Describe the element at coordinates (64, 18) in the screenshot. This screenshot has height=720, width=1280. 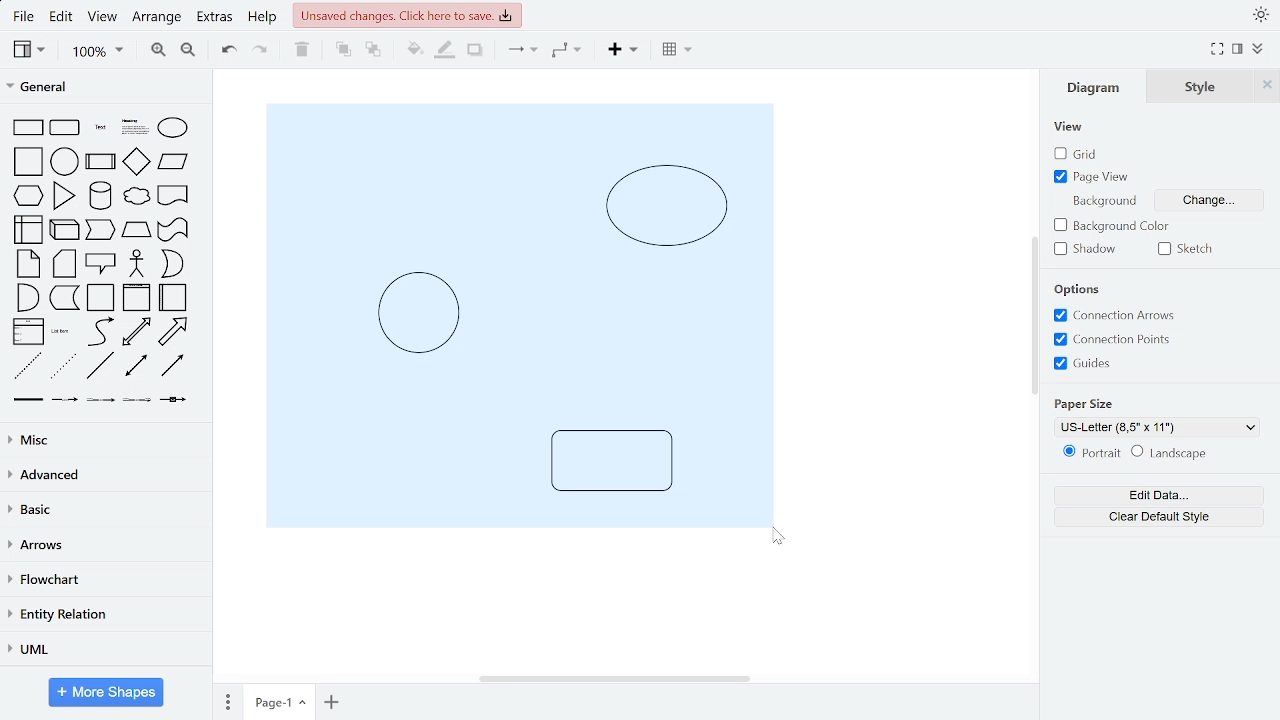
I see `edit` at that location.